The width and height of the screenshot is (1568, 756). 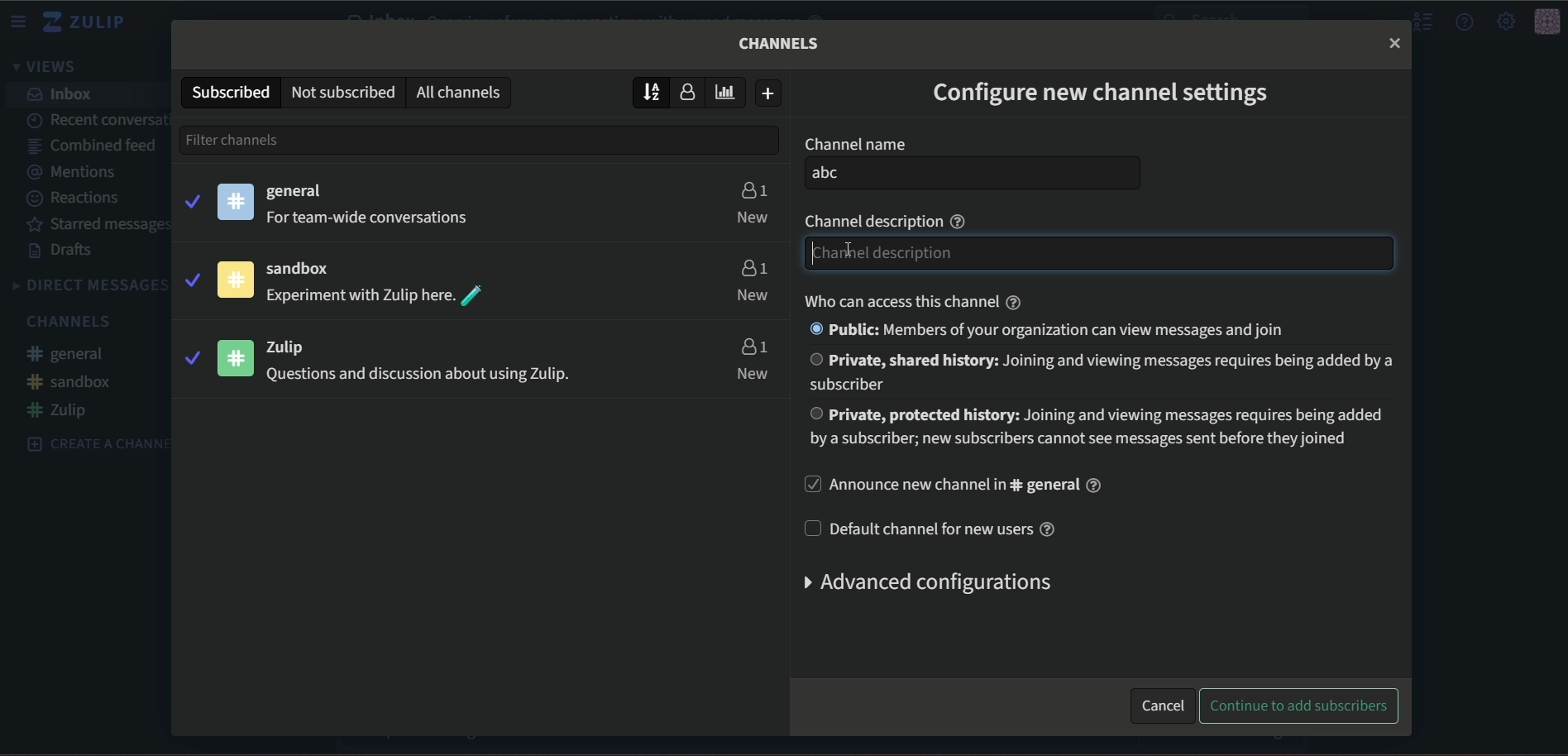 I want to click on #zulip, so click(x=63, y=410).